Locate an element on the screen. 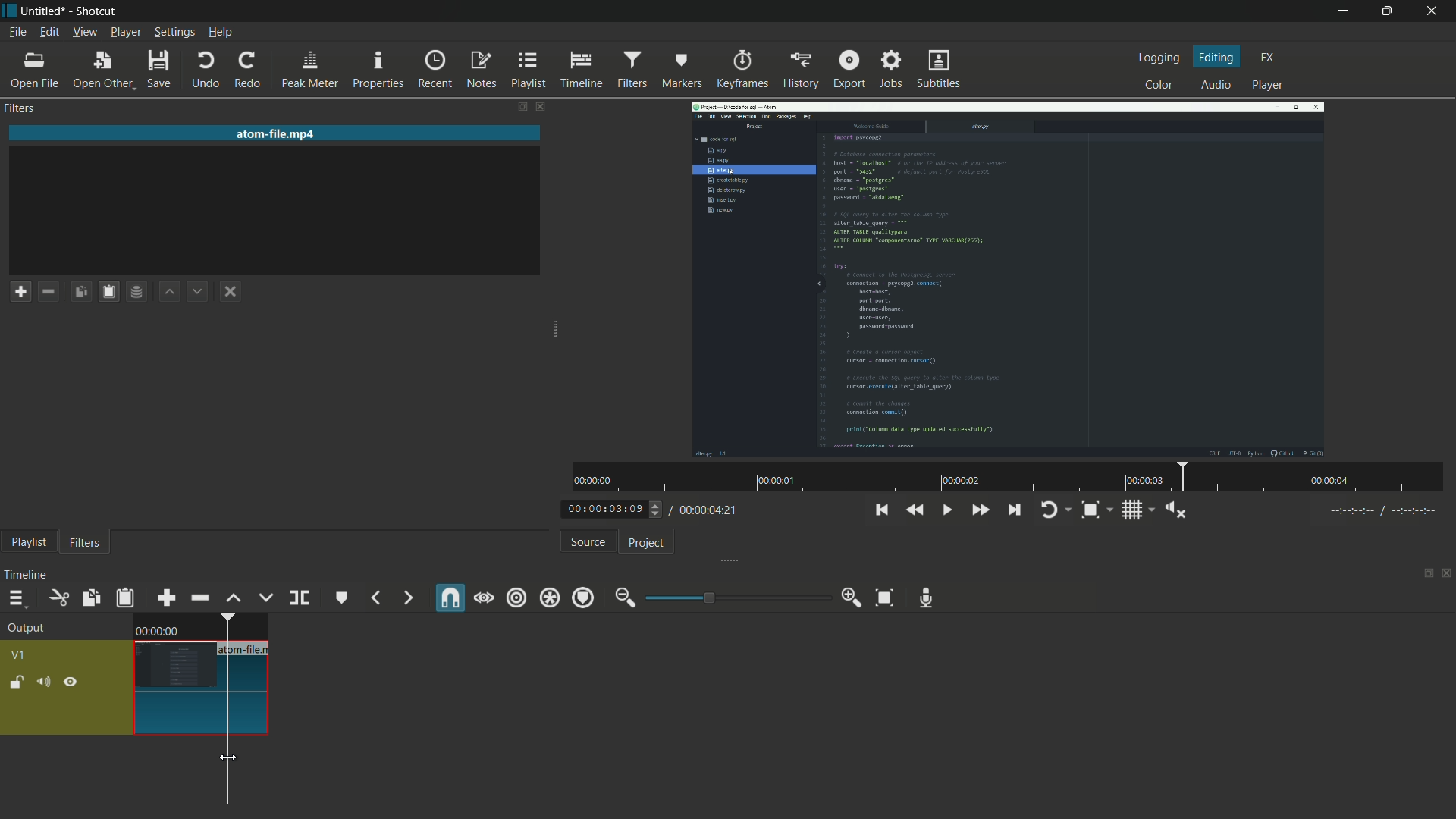 This screenshot has height=819, width=1456. current time is located at coordinates (606, 508).